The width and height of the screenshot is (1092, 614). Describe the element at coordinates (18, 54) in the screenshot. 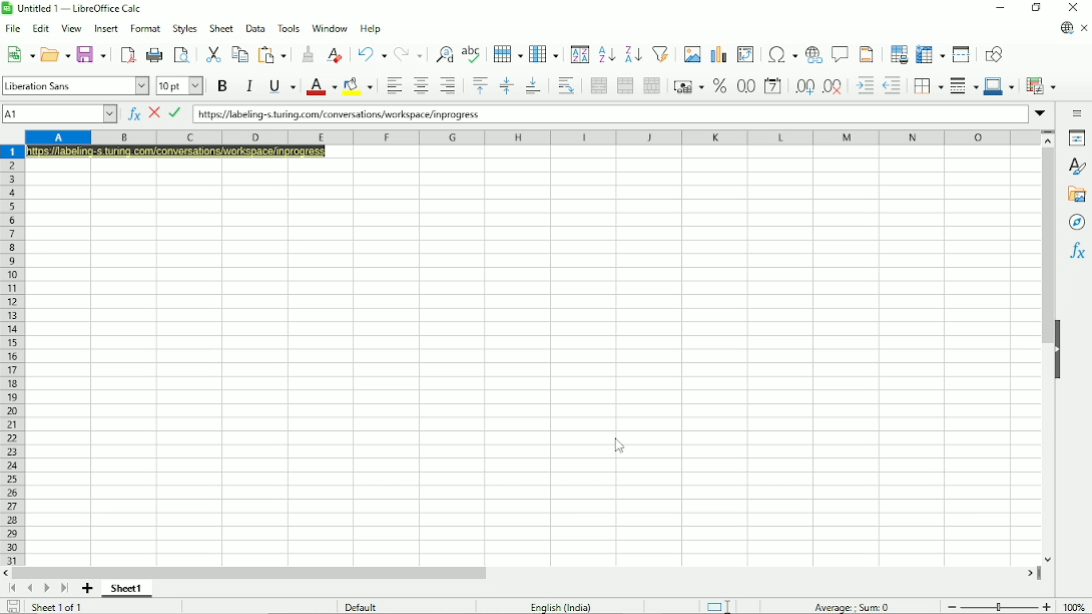

I see `New` at that location.